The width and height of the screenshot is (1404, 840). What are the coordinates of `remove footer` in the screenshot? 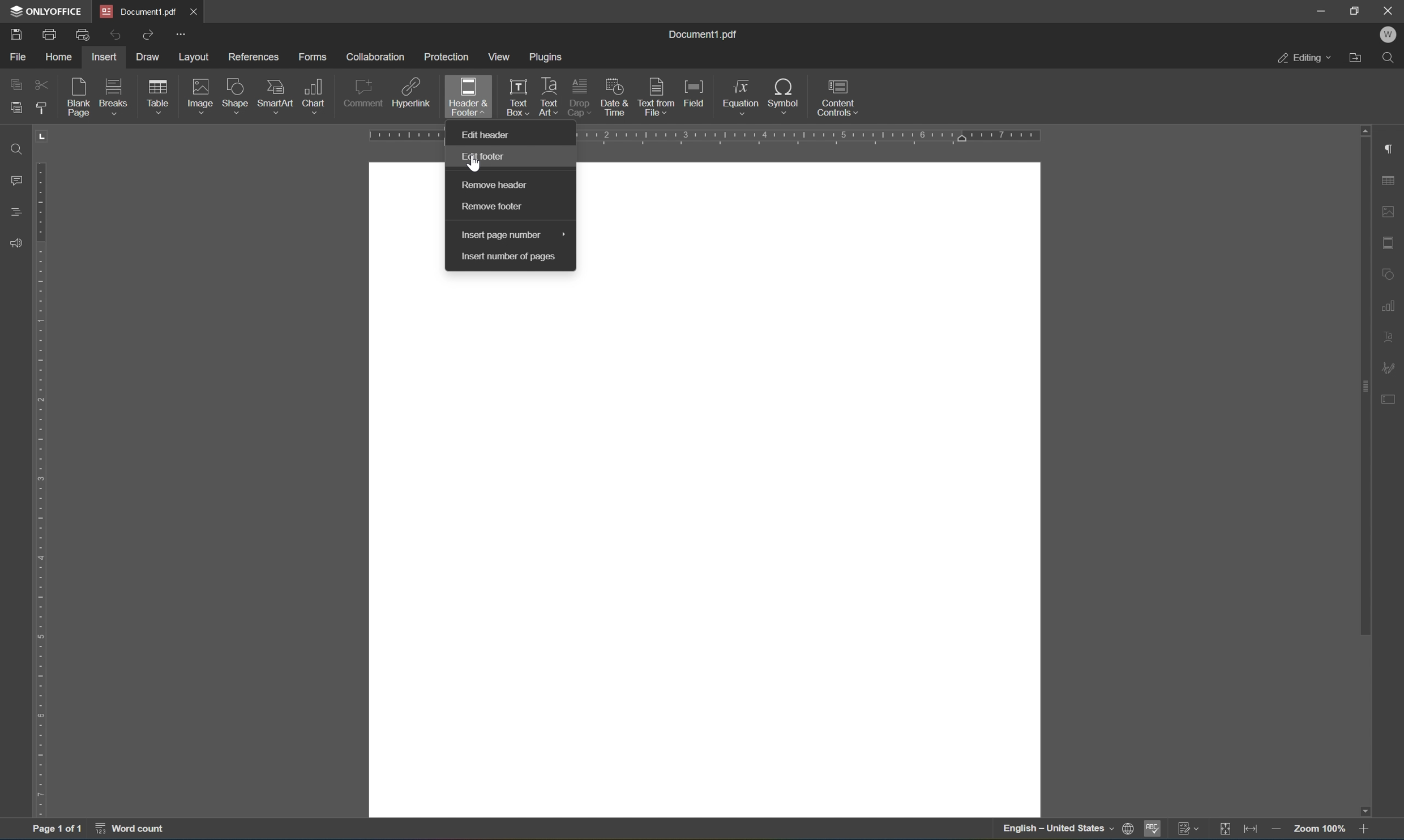 It's located at (501, 207).